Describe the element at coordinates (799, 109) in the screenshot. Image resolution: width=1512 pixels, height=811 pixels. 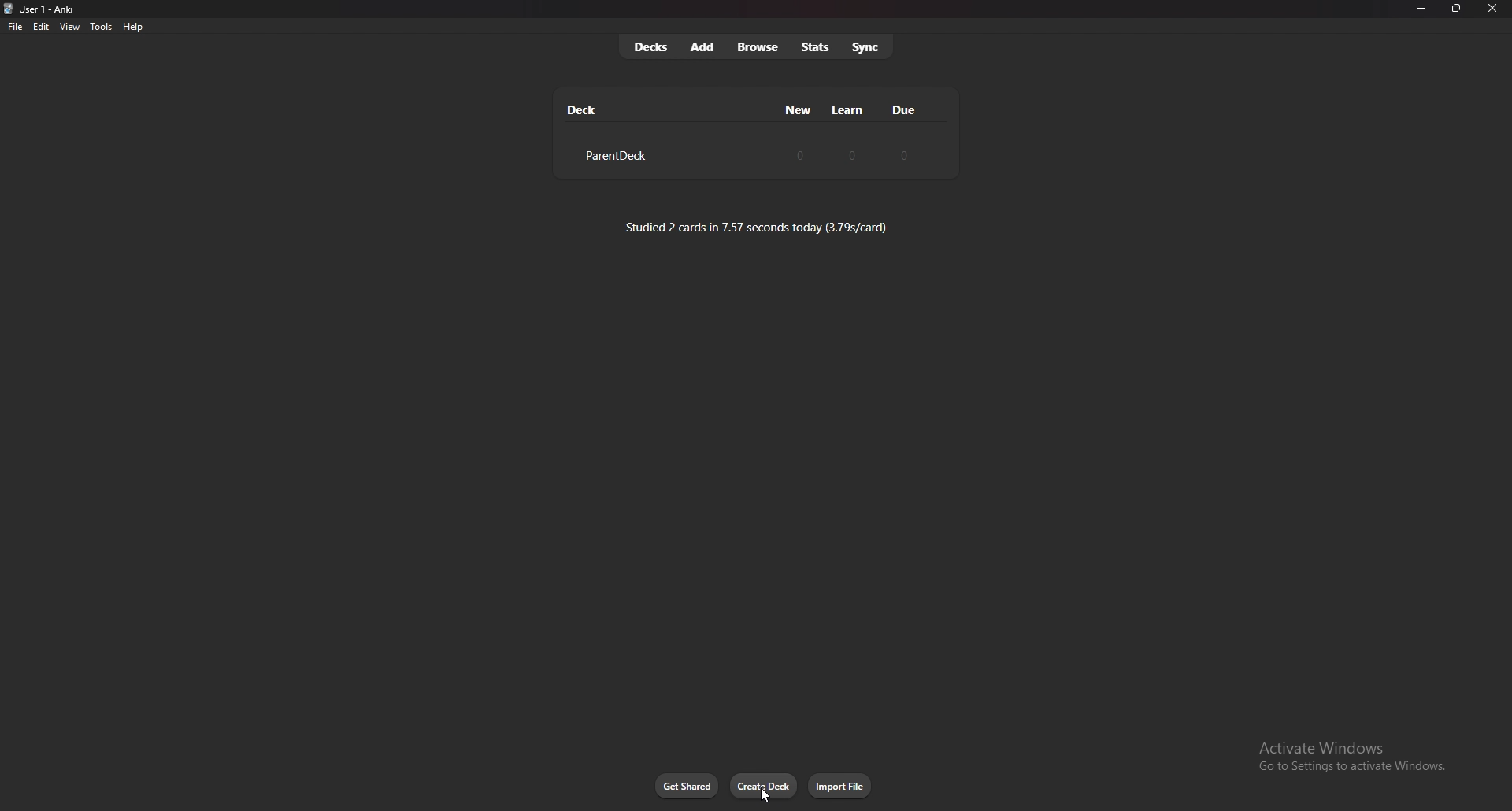
I see `new` at that location.